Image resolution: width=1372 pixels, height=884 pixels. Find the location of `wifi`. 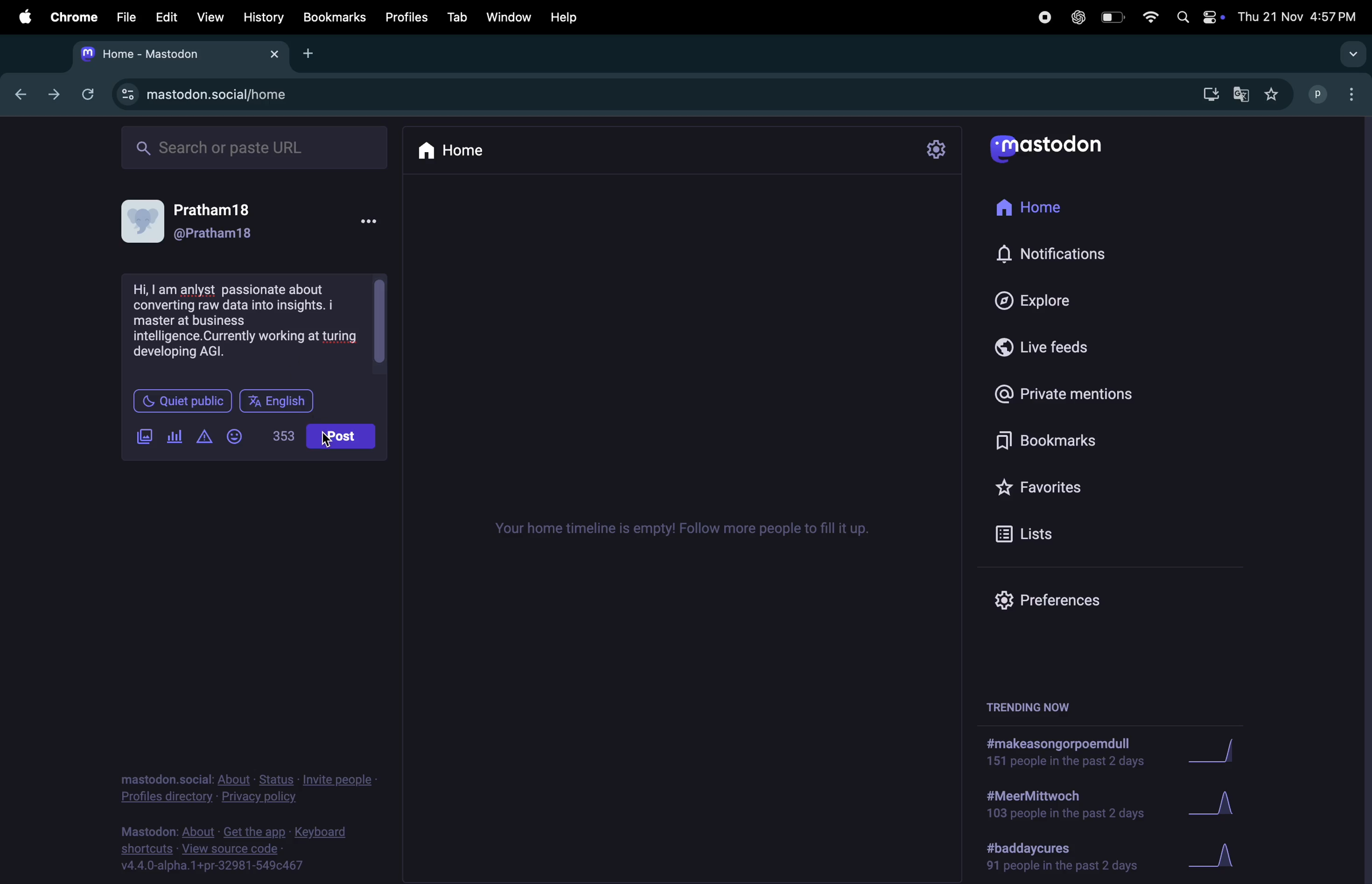

wifi is located at coordinates (1148, 19).